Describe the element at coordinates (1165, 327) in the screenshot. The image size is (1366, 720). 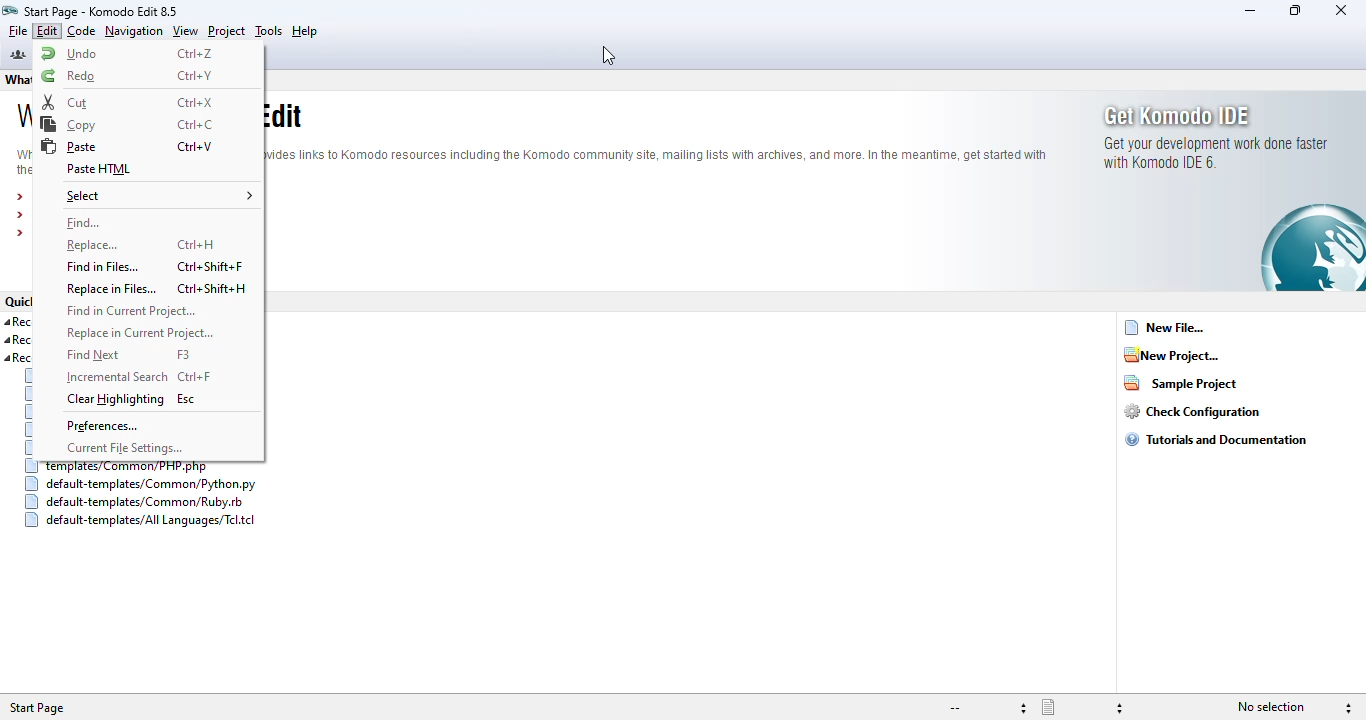
I see `new file` at that location.